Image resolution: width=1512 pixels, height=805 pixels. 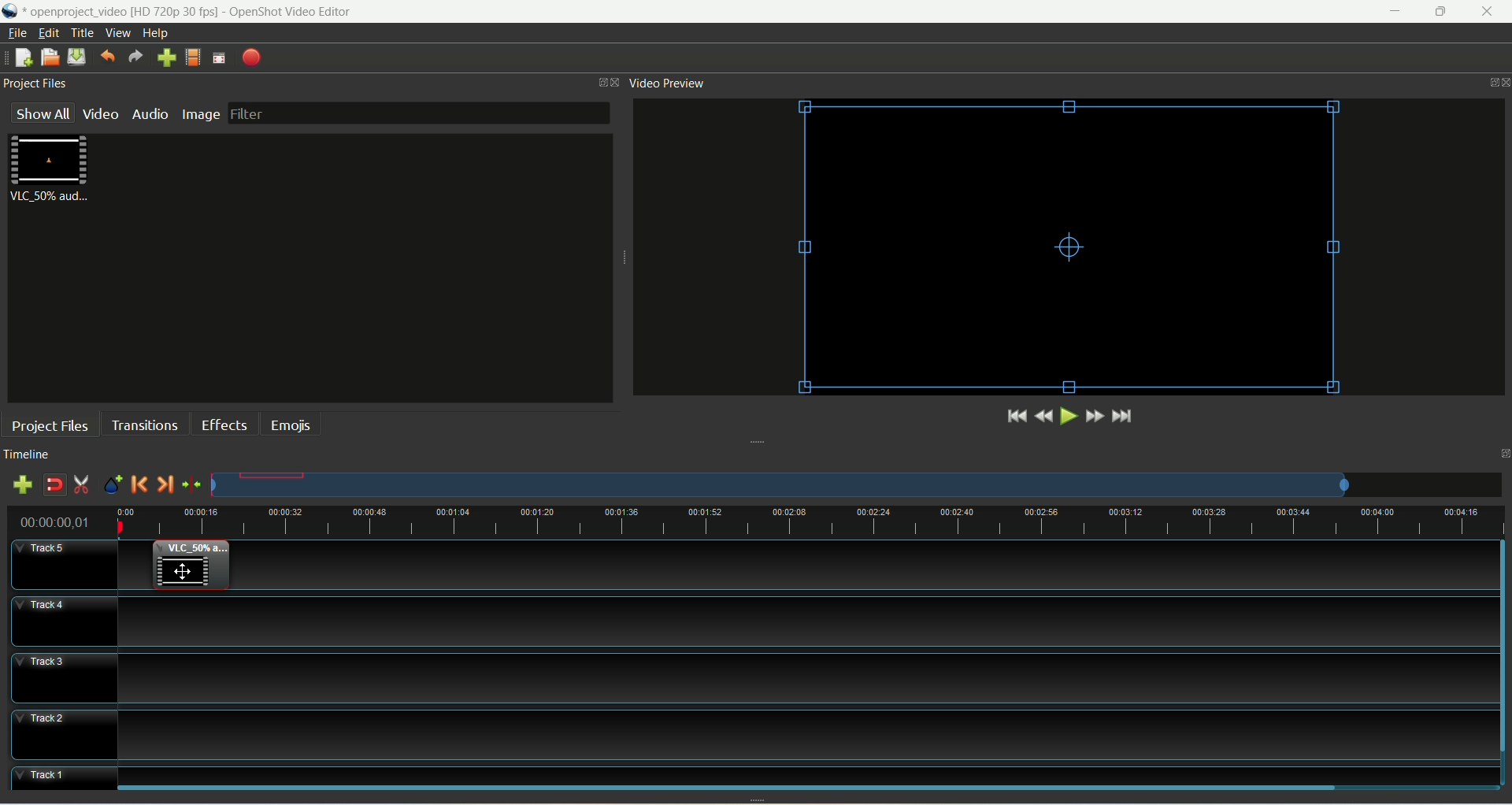 What do you see at coordinates (1043, 416) in the screenshot?
I see `rewind` at bounding box center [1043, 416].